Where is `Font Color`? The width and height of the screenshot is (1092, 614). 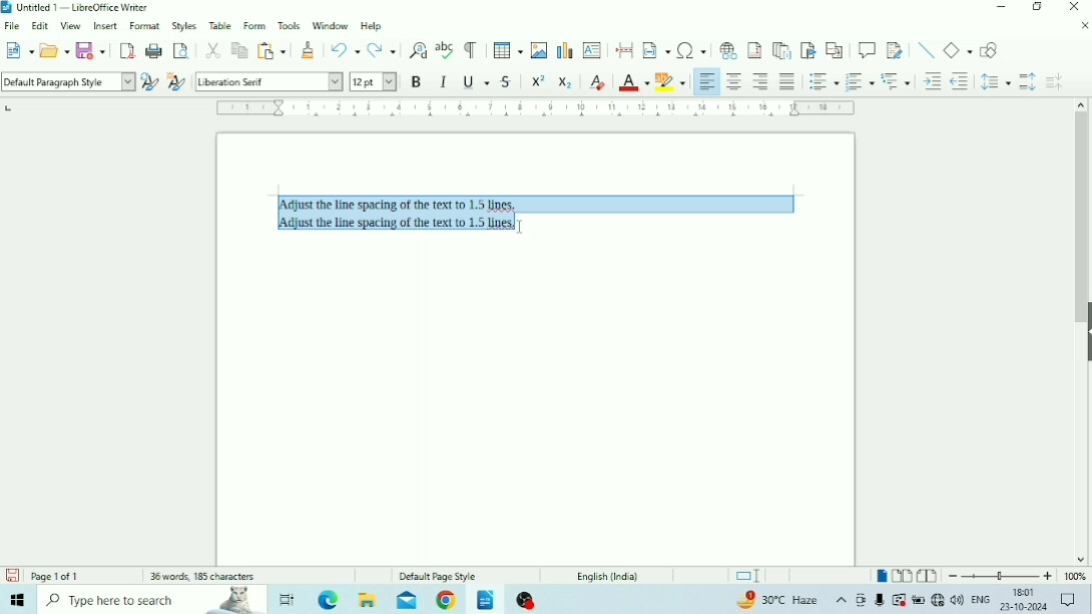 Font Color is located at coordinates (634, 82).